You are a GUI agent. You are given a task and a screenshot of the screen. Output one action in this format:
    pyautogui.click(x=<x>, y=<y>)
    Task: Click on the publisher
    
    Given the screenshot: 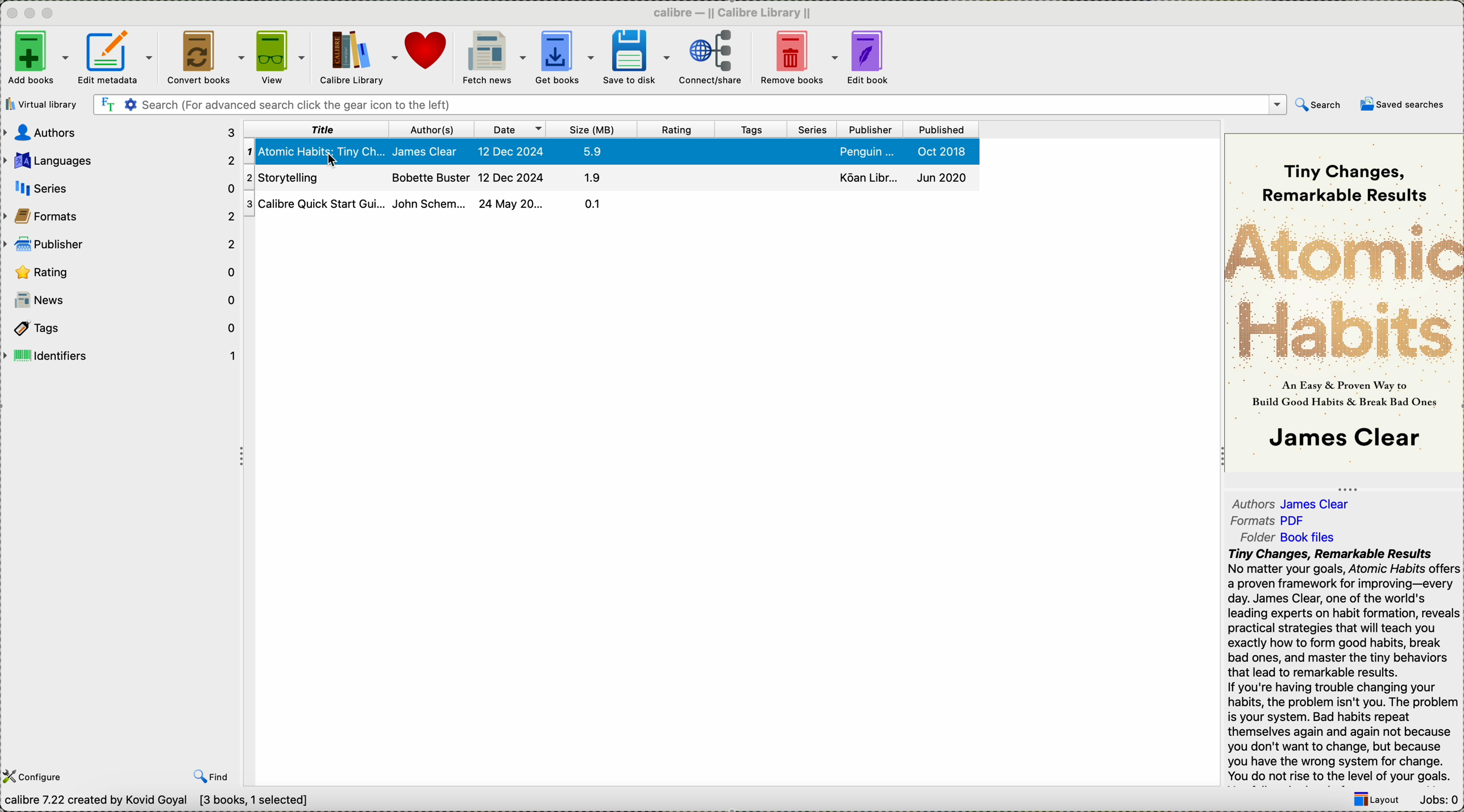 What is the action you would take?
    pyautogui.click(x=873, y=130)
    